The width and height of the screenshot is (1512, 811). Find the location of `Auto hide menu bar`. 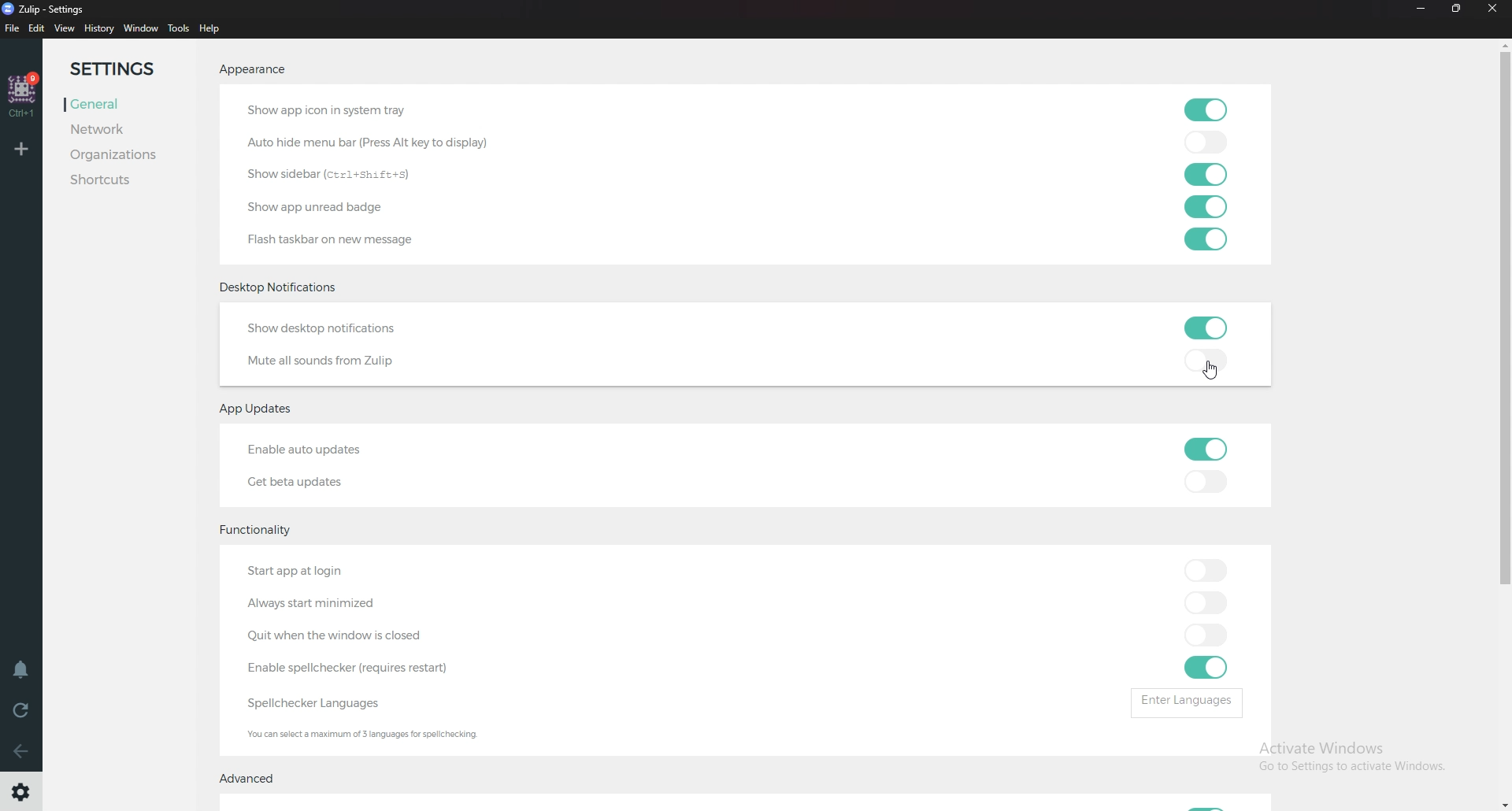

Auto hide menu bar is located at coordinates (378, 139).